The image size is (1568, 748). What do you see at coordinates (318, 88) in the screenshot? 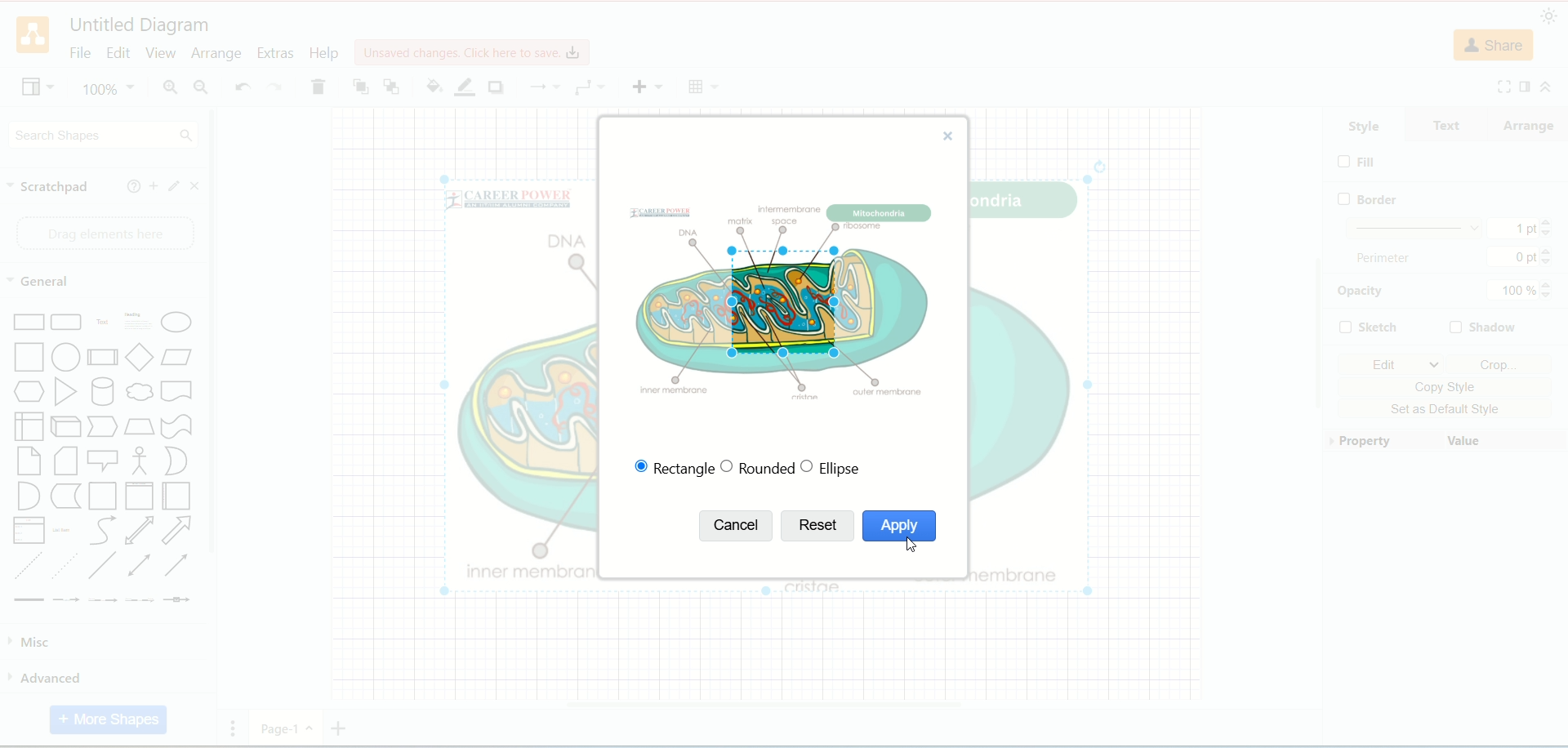
I see `delete` at bounding box center [318, 88].